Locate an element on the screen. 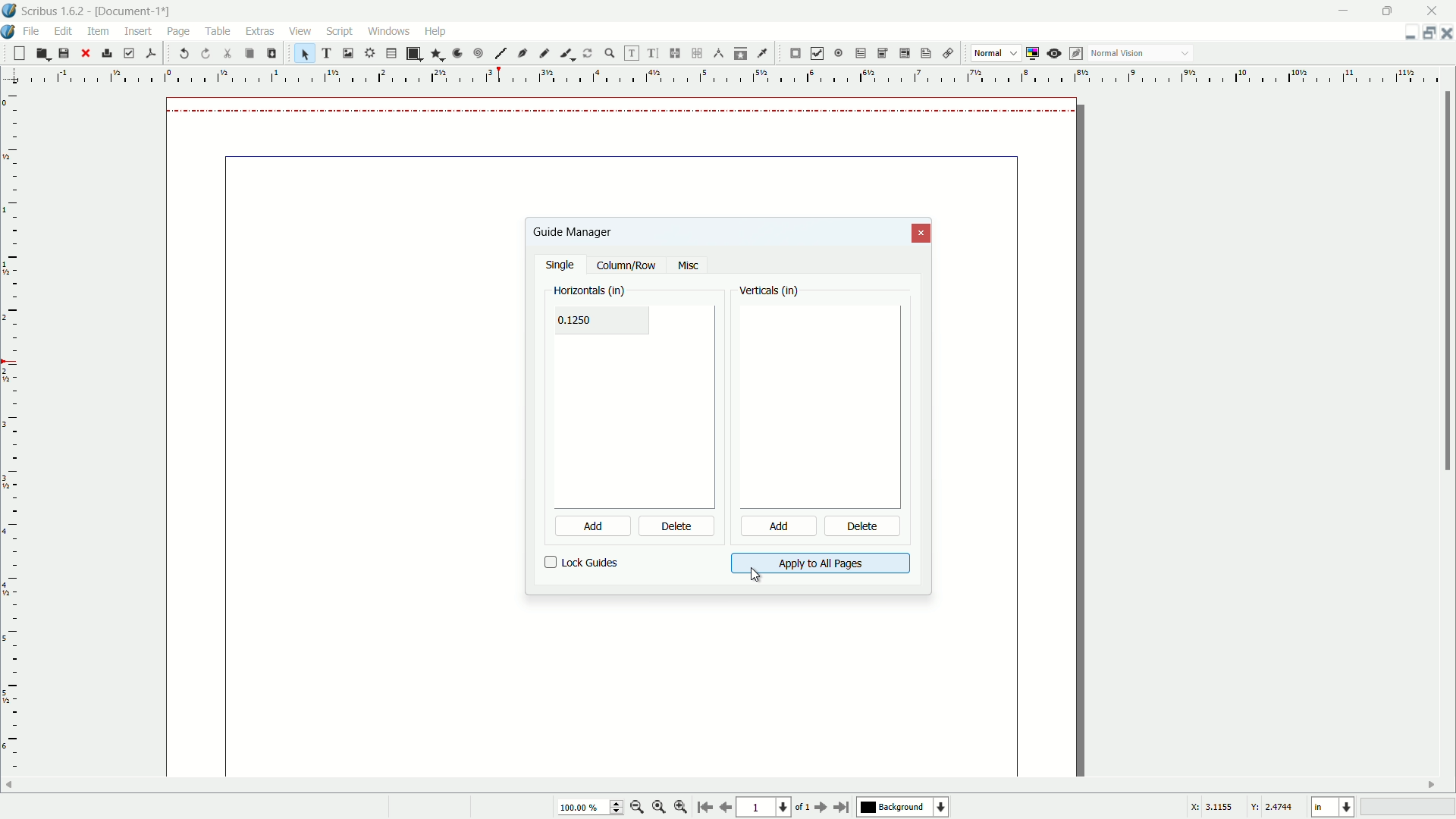  redo is located at coordinates (207, 53).